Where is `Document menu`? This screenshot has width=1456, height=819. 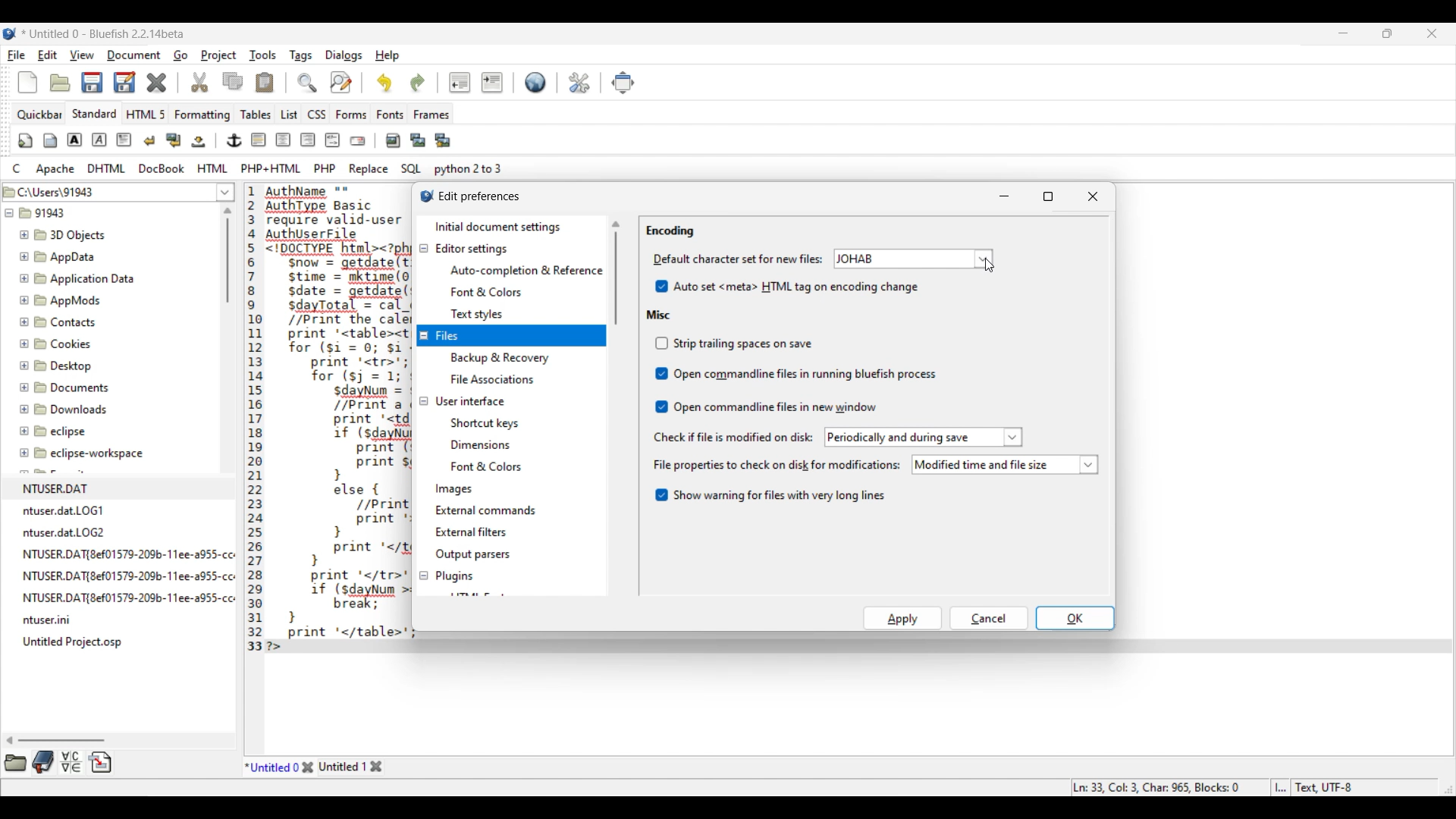 Document menu is located at coordinates (134, 55).